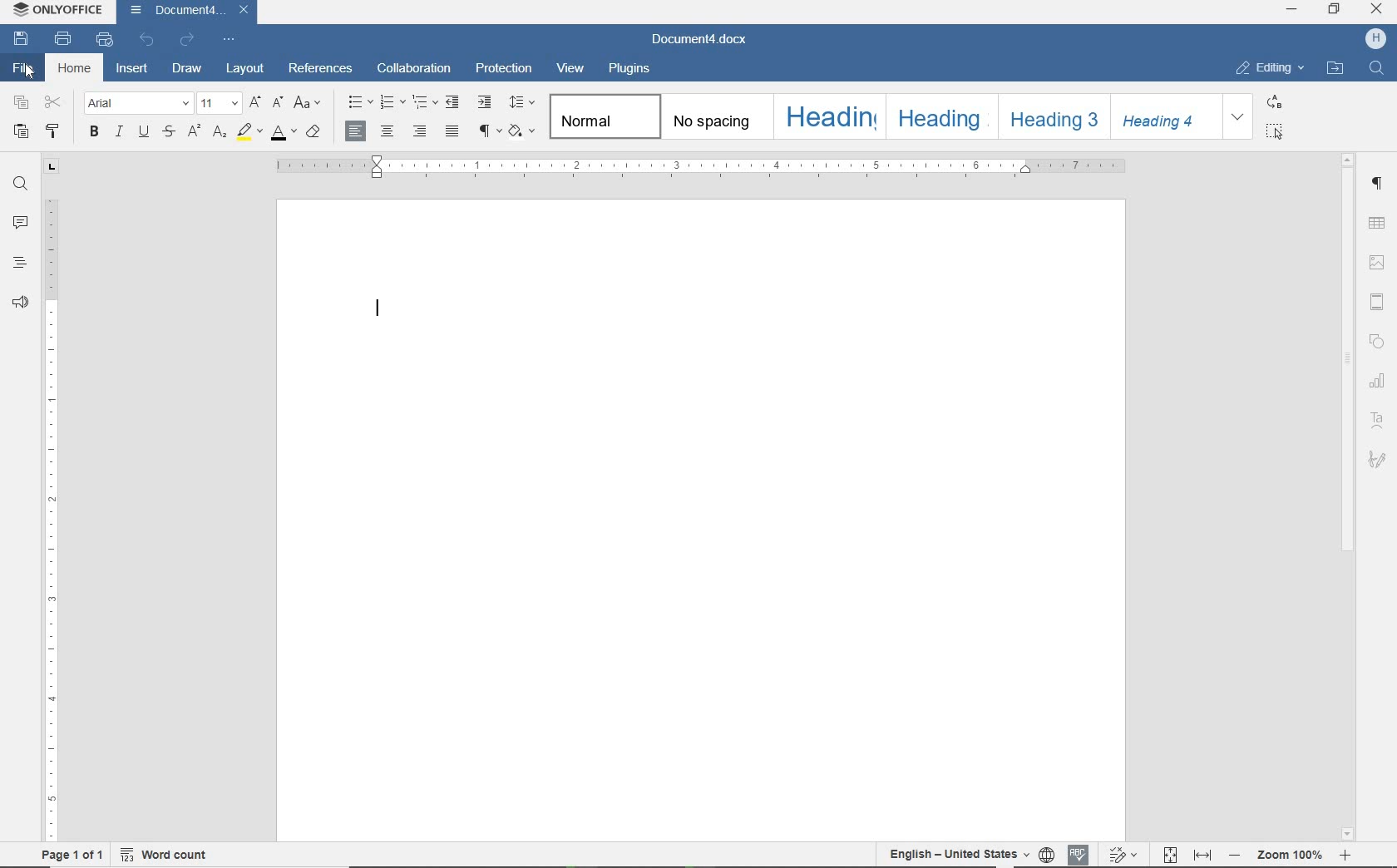 This screenshot has width=1397, height=868. Describe the element at coordinates (143, 132) in the screenshot. I see `underline` at that location.